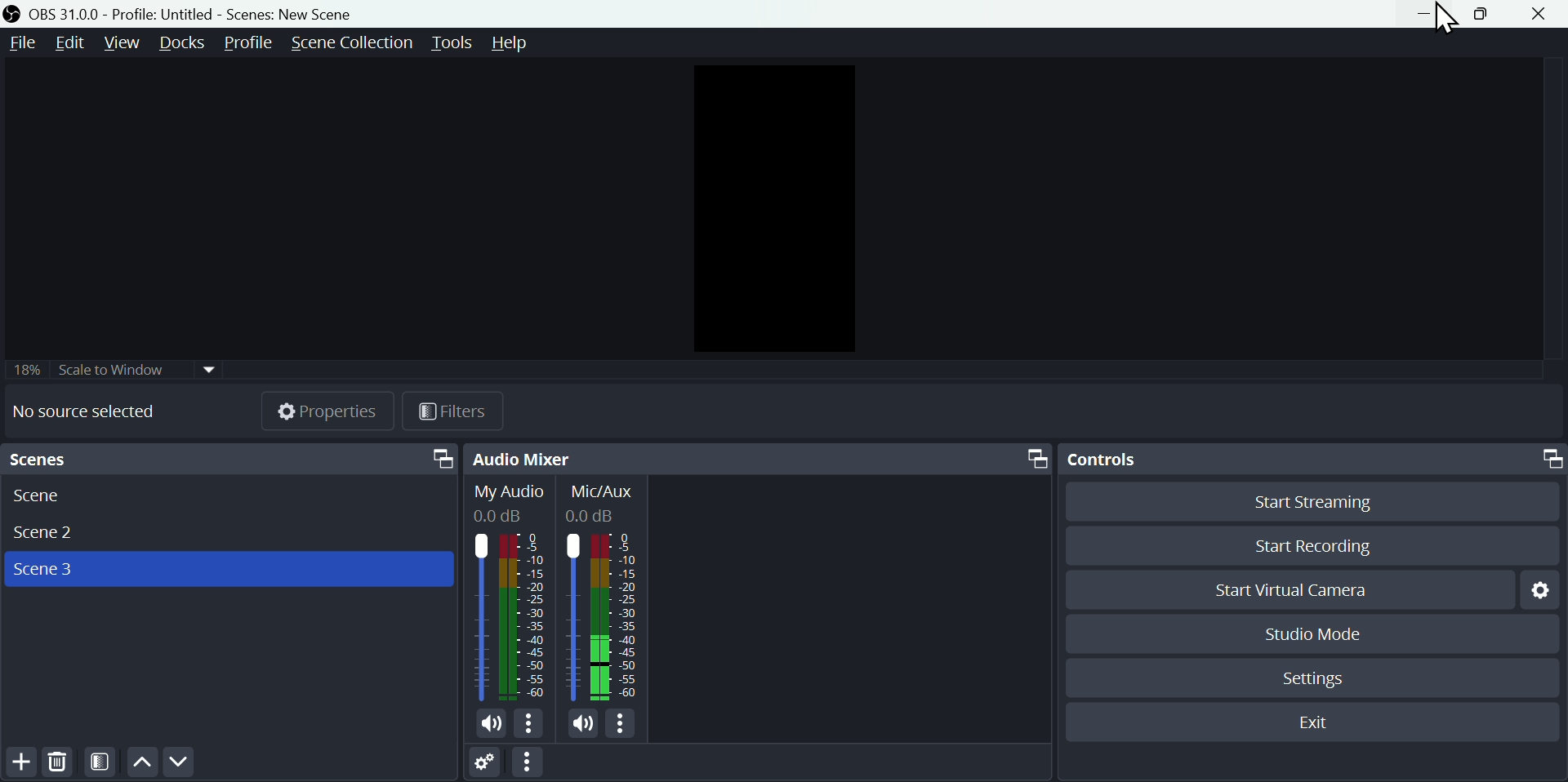 This screenshot has height=782, width=1568. What do you see at coordinates (510, 593) in the screenshot?
I see `Desktop Audio` at bounding box center [510, 593].